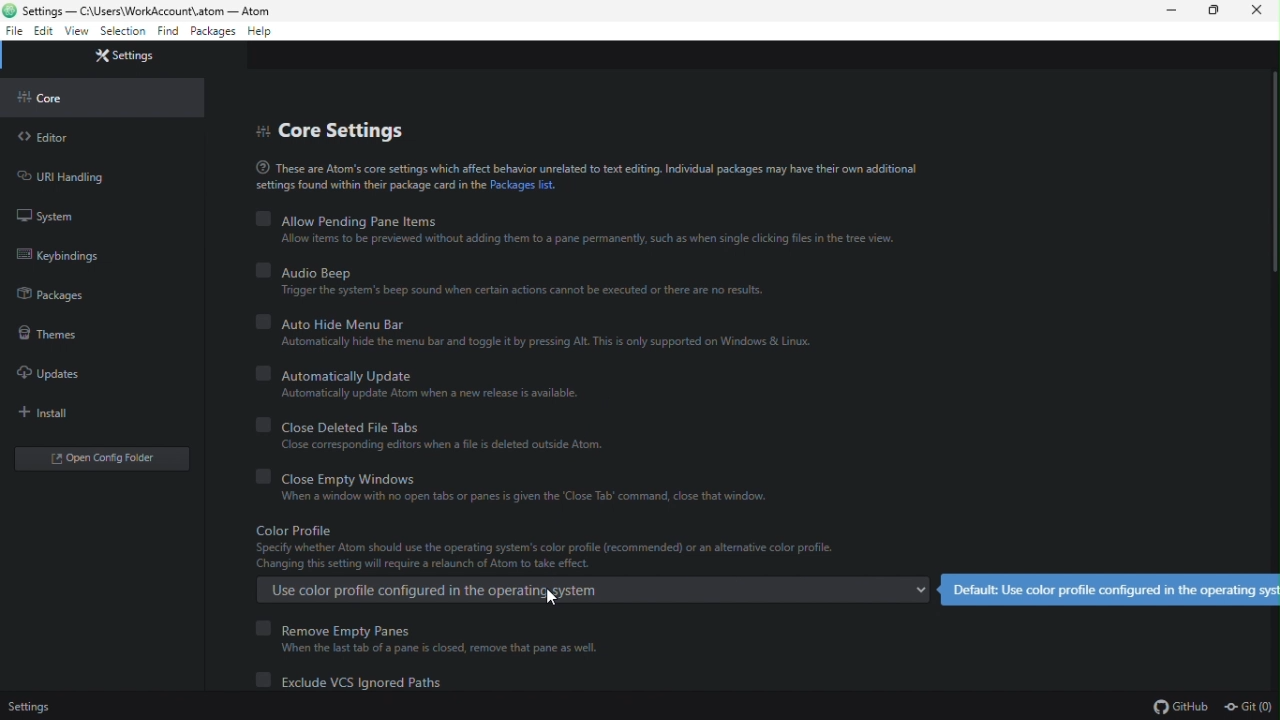 Image resolution: width=1280 pixels, height=720 pixels. I want to click on allow pending pane items, so click(575, 229).